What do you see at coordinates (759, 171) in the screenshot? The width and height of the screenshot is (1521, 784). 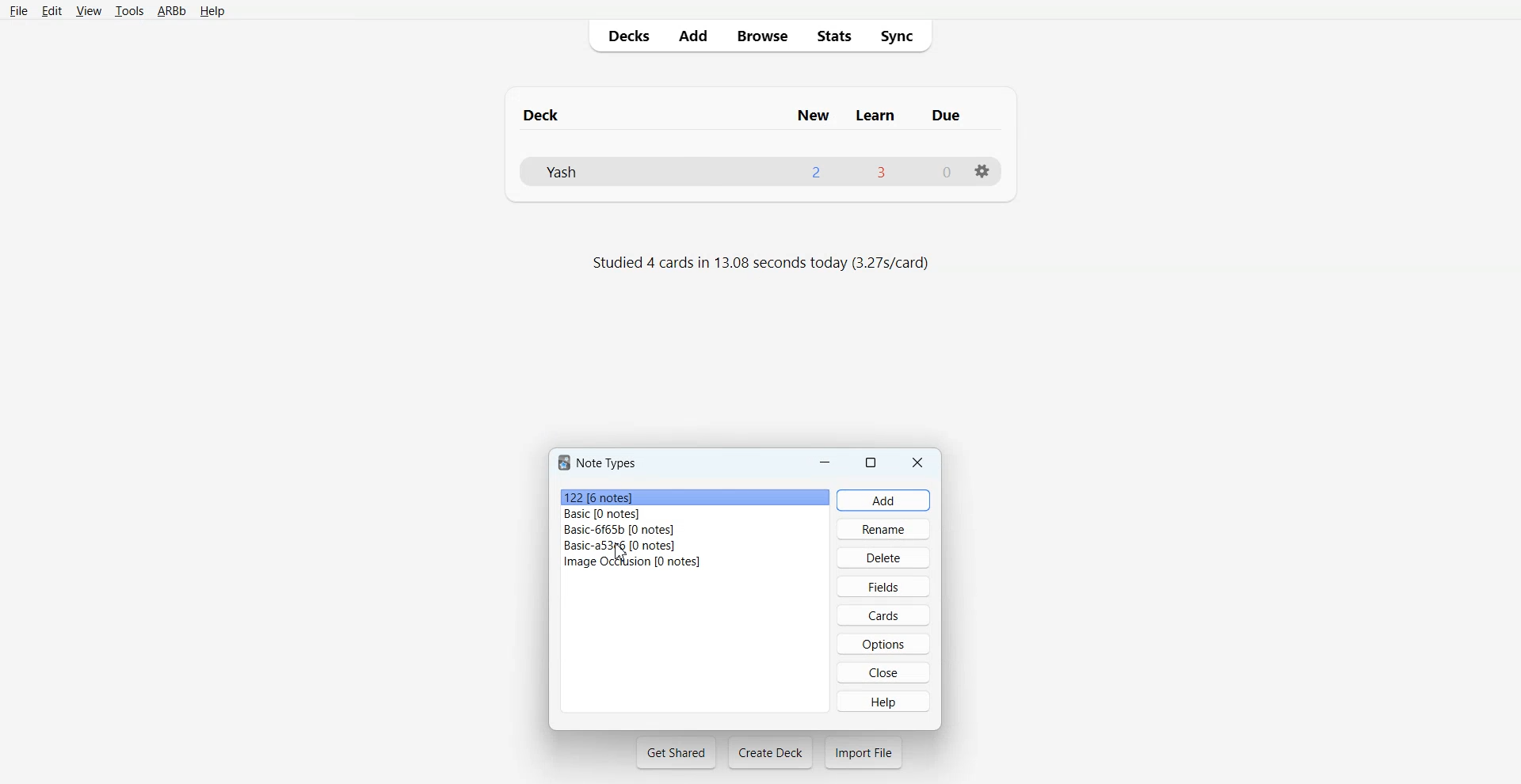 I see `Deck File Yash ` at bounding box center [759, 171].